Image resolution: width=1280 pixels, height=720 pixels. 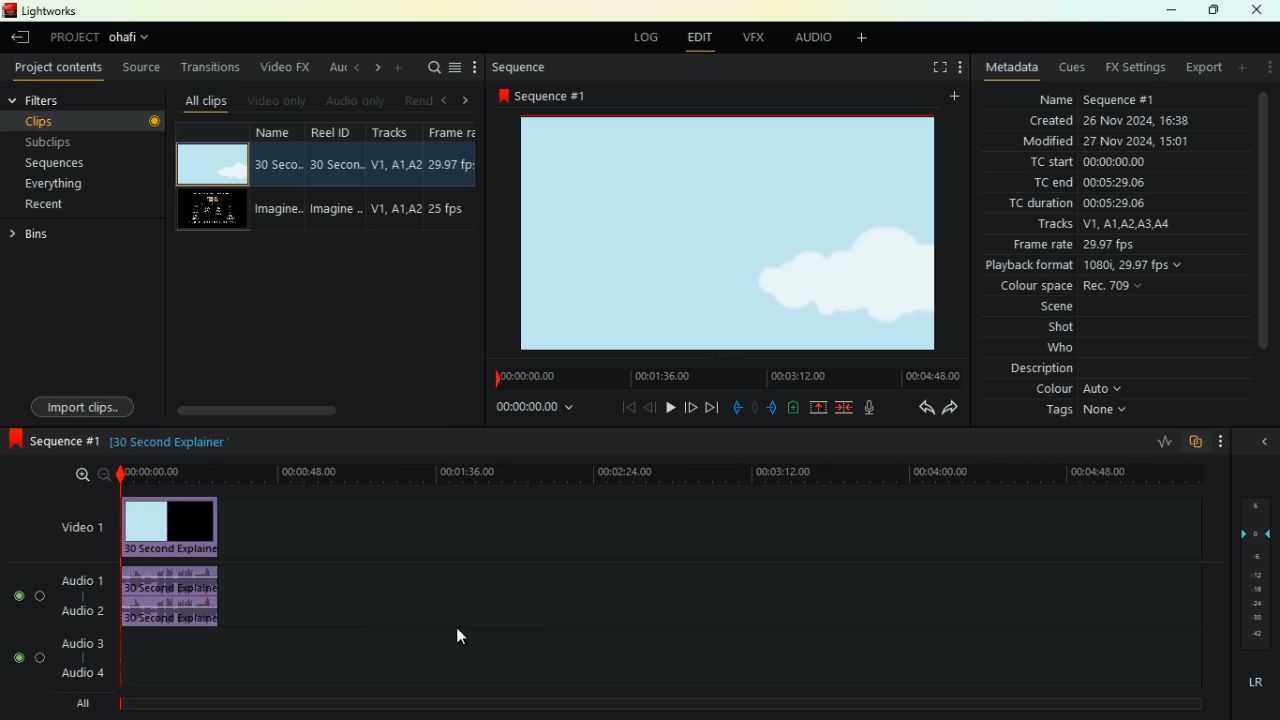 I want to click on time, so click(x=531, y=411).